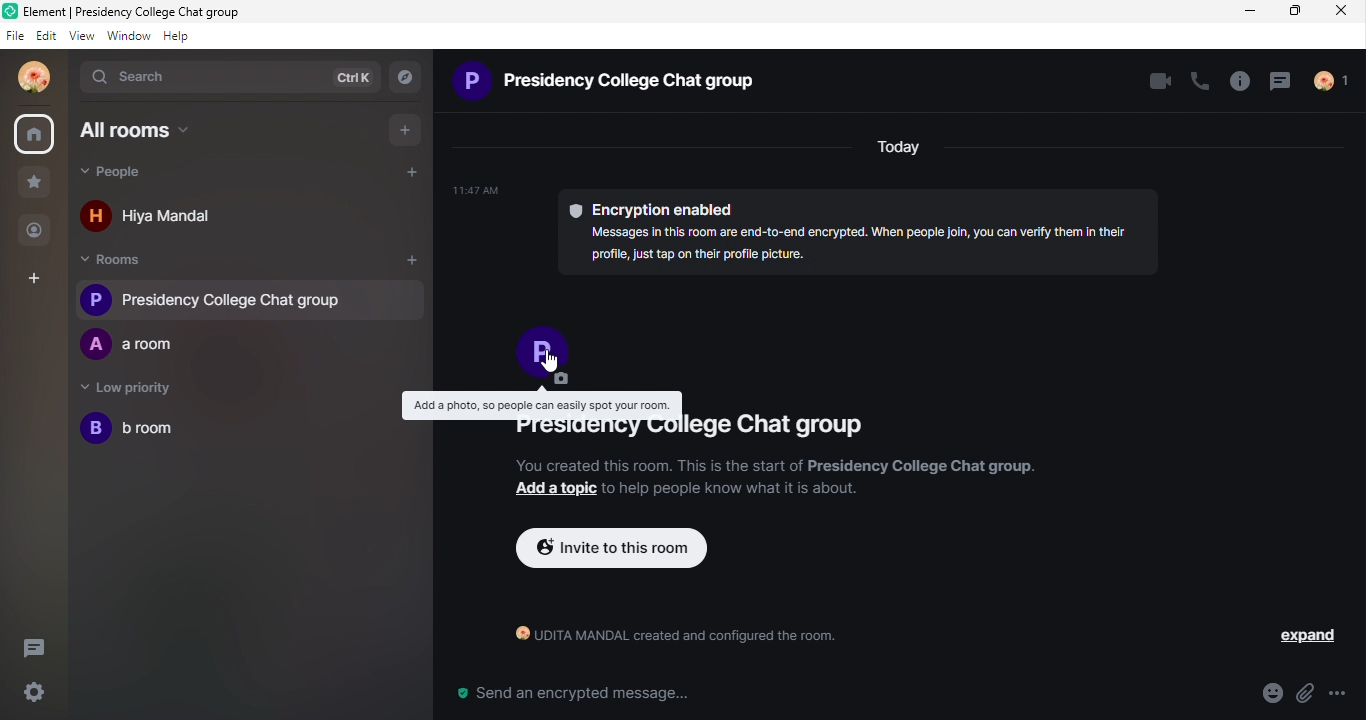 The height and width of the screenshot is (720, 1366). Describe the element at coordinates (610, 84) in the screenshot. I see `precidency college chat group` at that location.